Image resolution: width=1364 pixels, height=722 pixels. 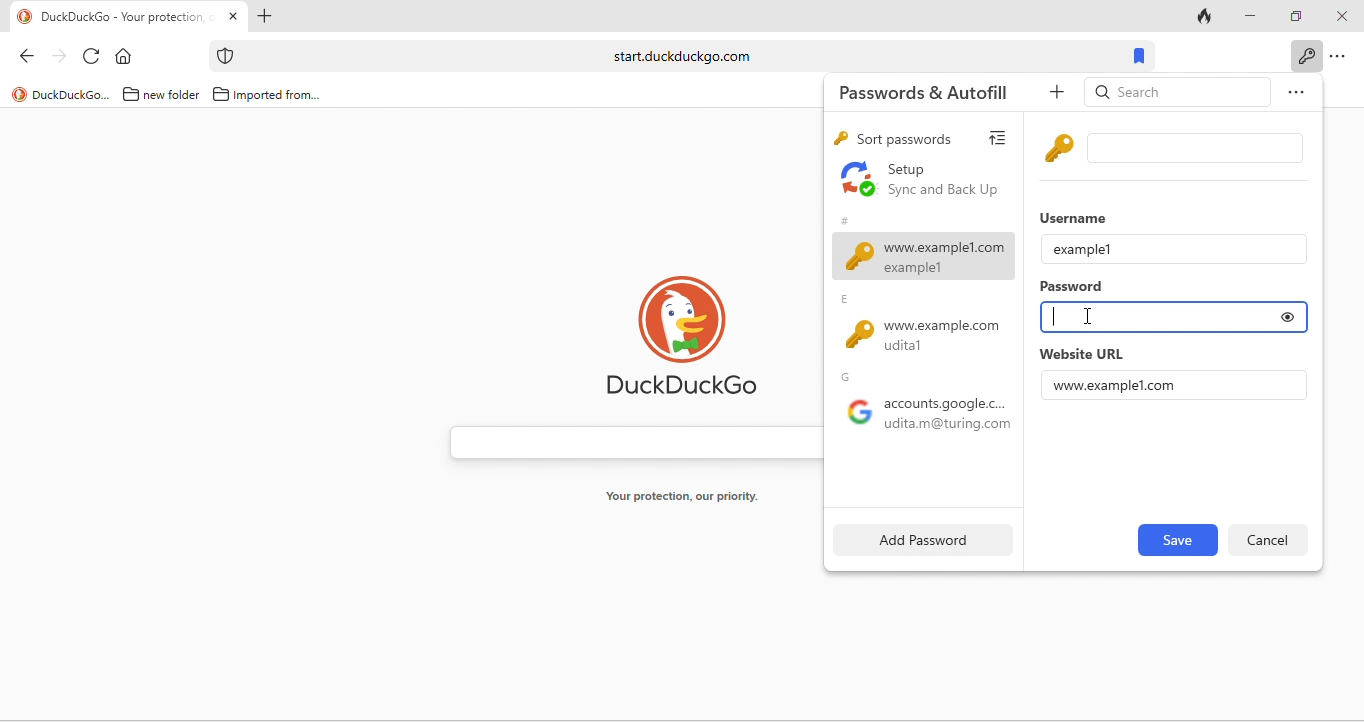 I want to click on imported from, so click(x=279, y=96).